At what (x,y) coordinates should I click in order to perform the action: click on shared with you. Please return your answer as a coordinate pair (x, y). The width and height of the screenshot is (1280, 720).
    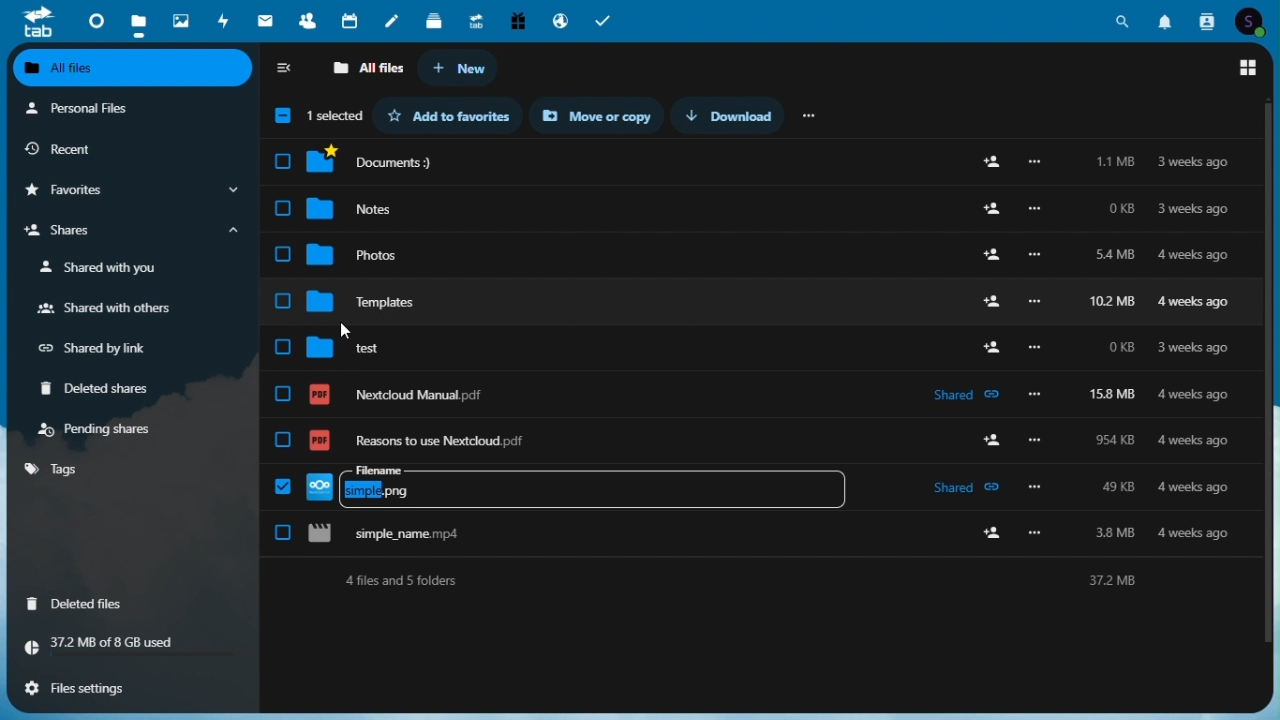
    Looking at the image, I should click on (103, 268).